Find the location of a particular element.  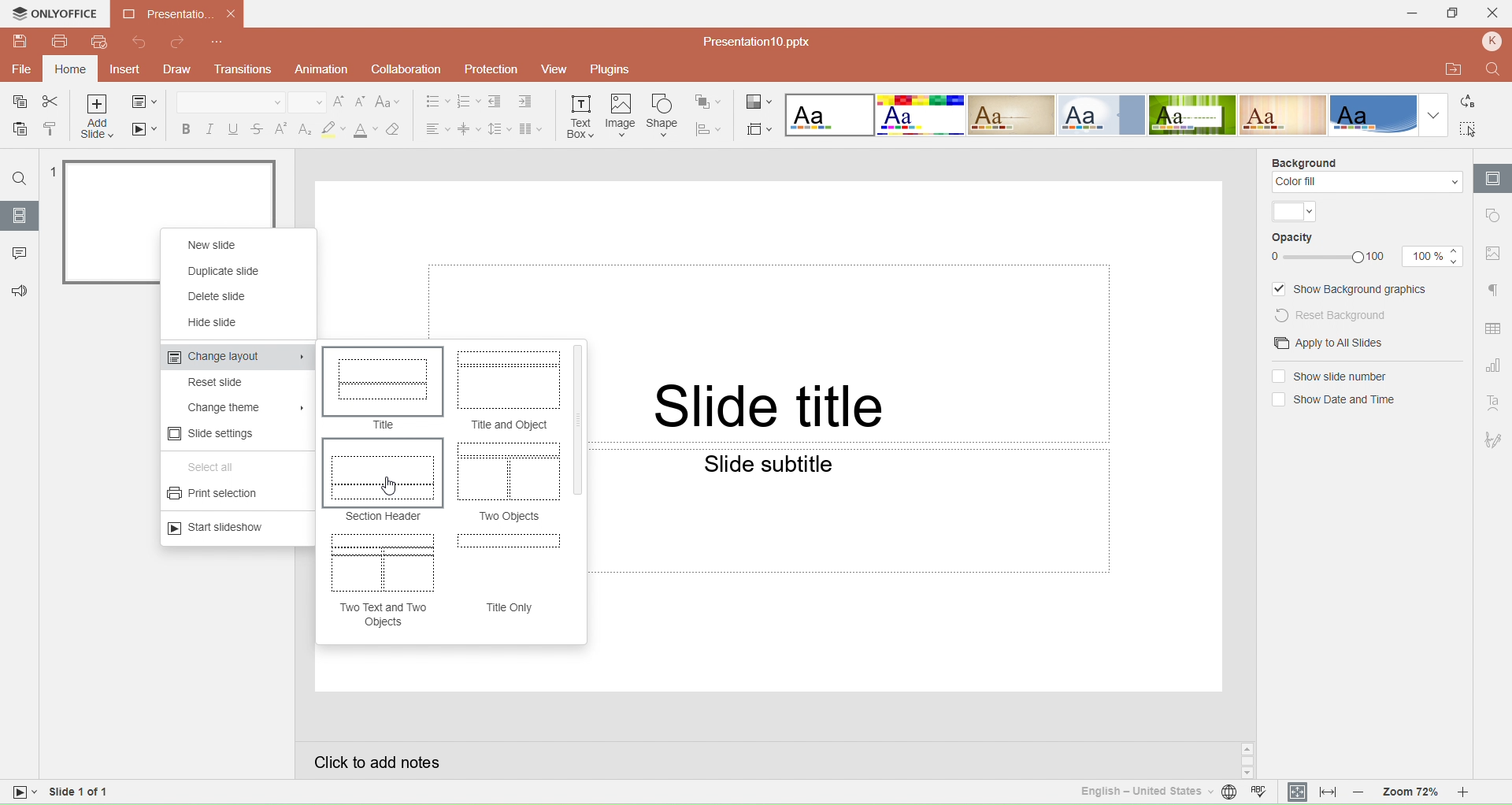

Chart setting is located at coordinates (1495, 363).